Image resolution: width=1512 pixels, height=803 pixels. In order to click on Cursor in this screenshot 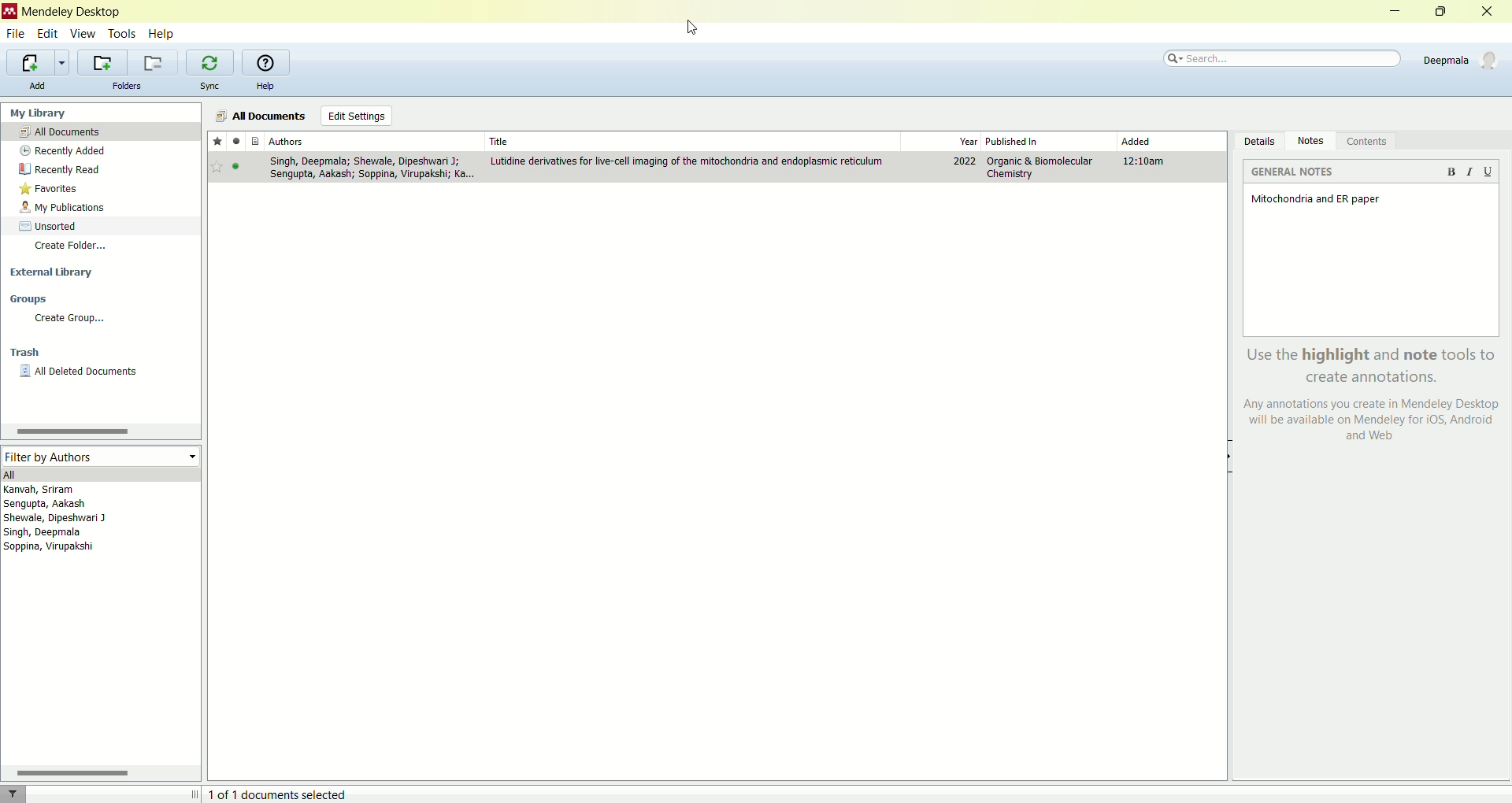, I will do `click(701, 28)`.